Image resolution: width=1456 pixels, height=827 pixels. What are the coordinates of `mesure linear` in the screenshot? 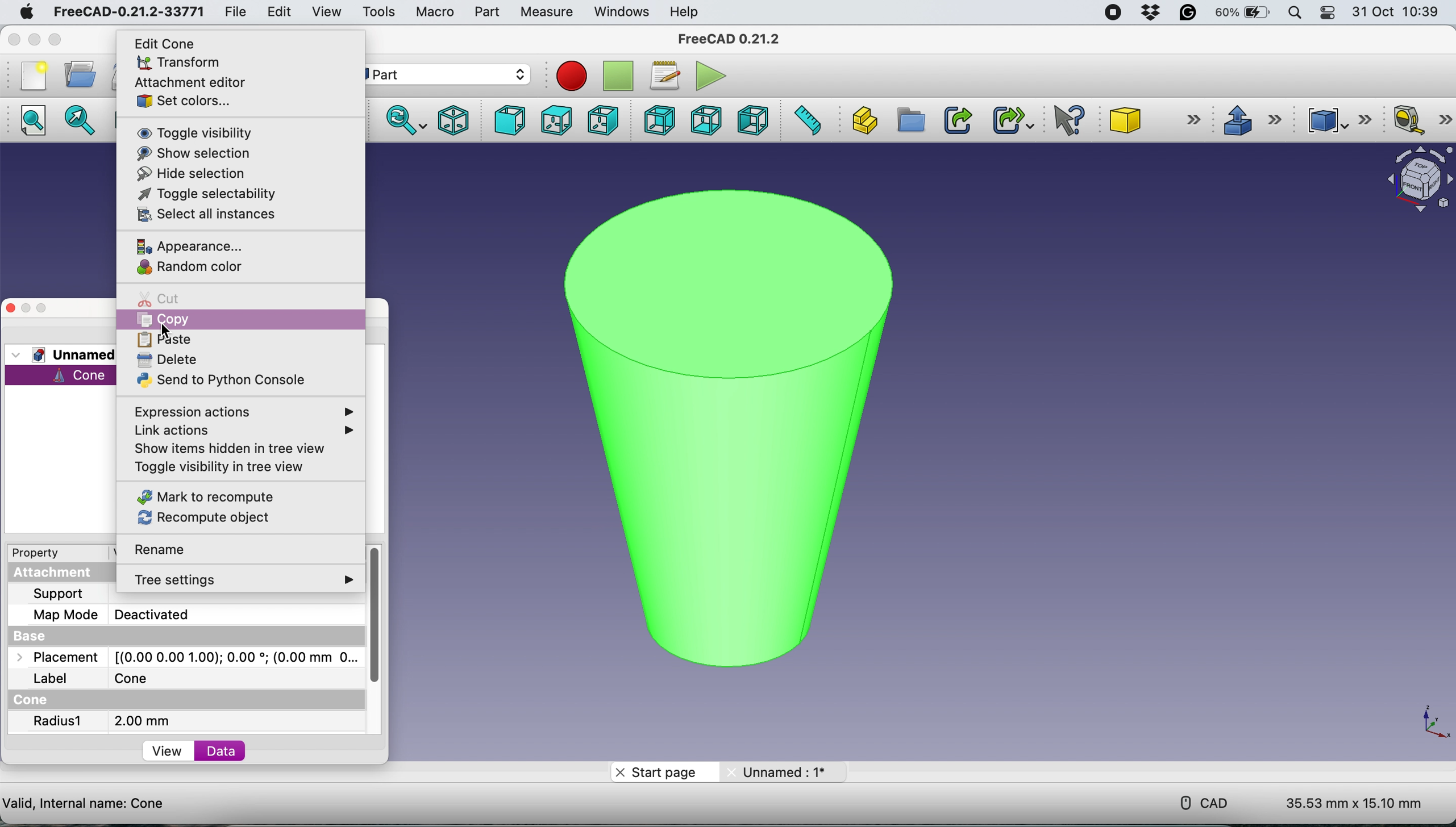 It's located at (1418, 122).